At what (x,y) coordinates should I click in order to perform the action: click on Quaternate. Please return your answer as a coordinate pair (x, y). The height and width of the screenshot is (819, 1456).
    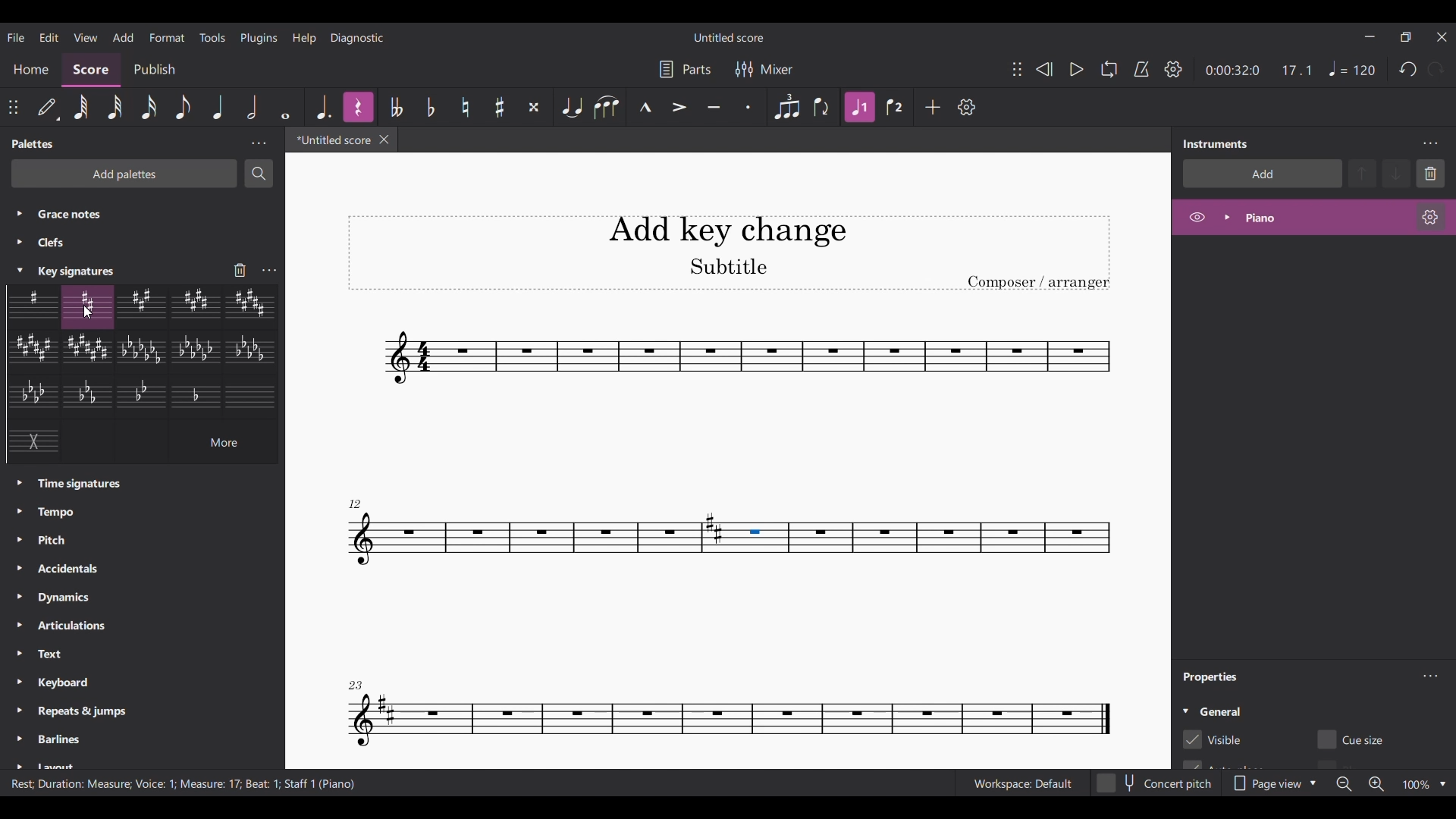
    Looking at the image, I should click on (1352, 69).